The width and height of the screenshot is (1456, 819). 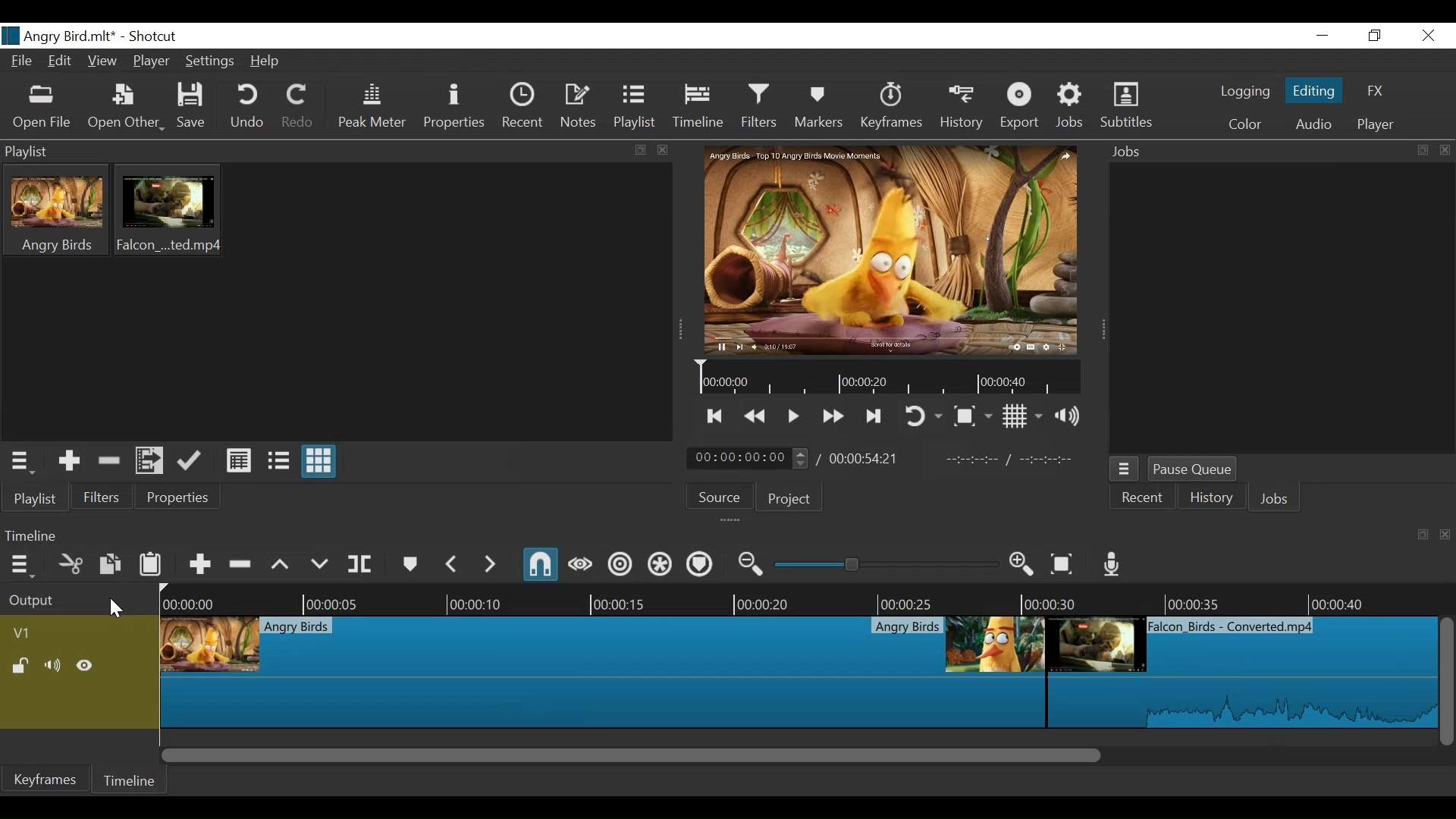 What do you see at coordinates (1380, 91) in the screenshot?
I see `FX` at bounding box center [1380, 91].